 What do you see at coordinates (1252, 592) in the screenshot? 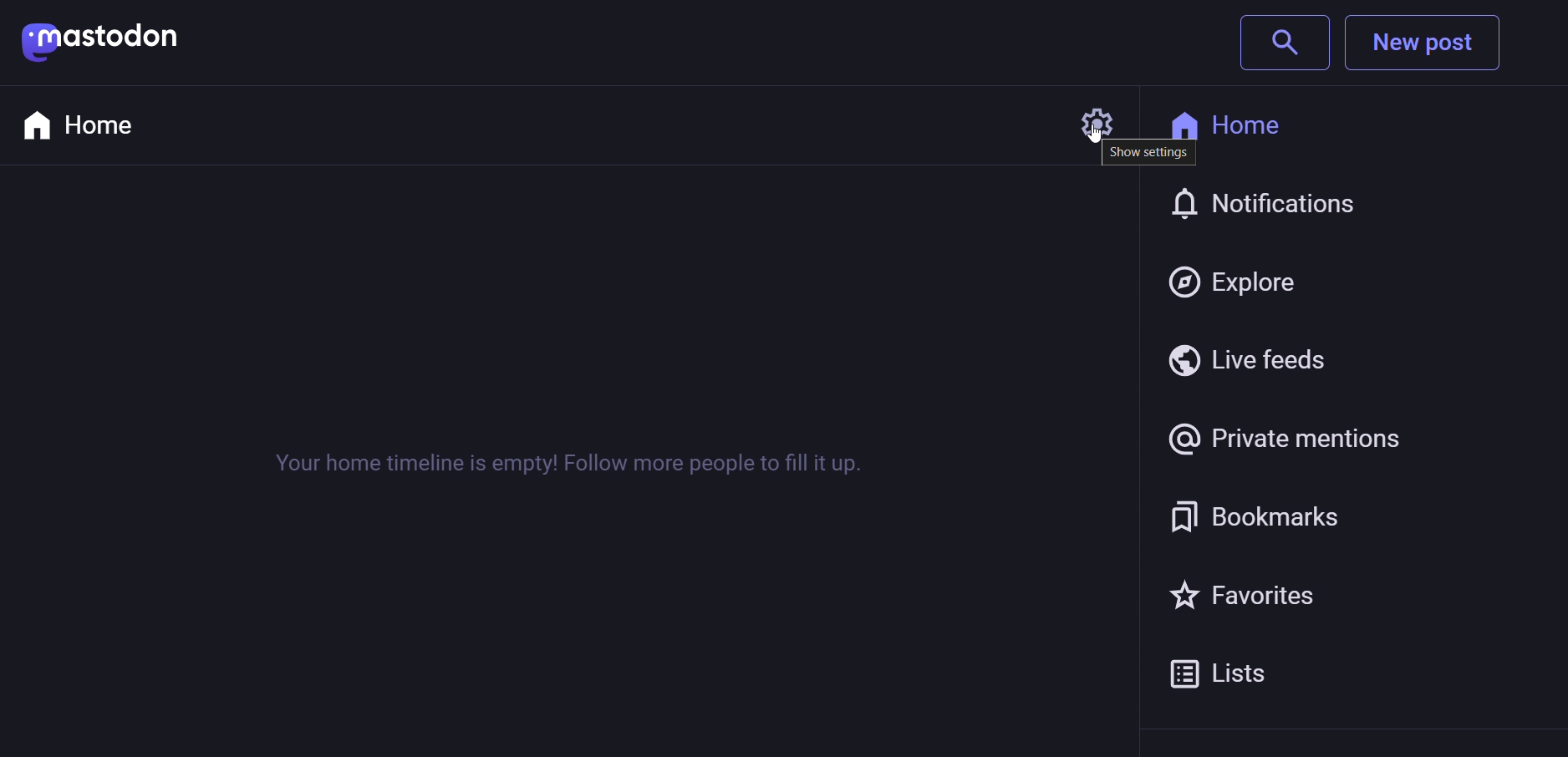
I see `favorite` at bounding box center [1252, 592].